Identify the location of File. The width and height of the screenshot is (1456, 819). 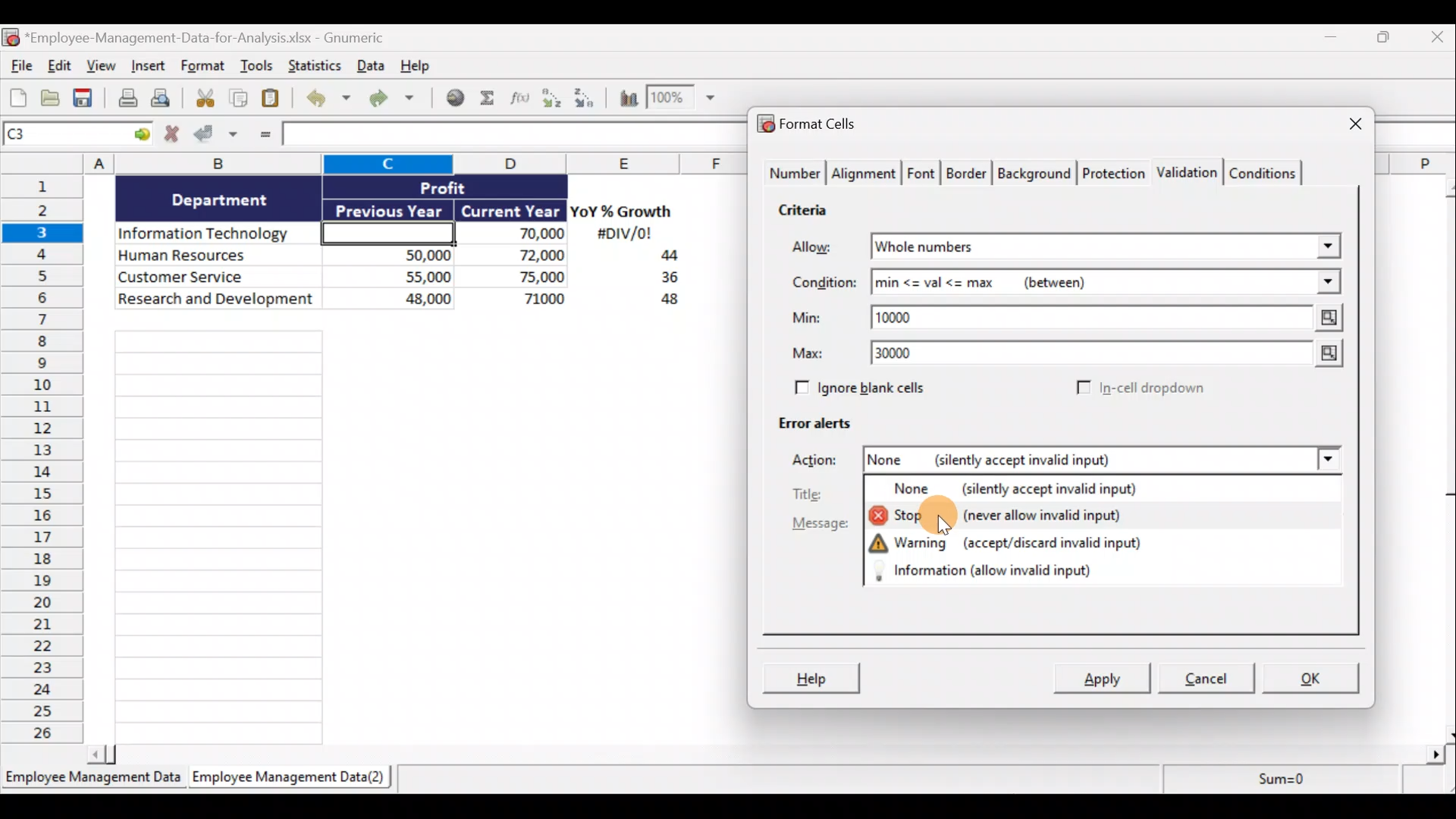
(18, 67).